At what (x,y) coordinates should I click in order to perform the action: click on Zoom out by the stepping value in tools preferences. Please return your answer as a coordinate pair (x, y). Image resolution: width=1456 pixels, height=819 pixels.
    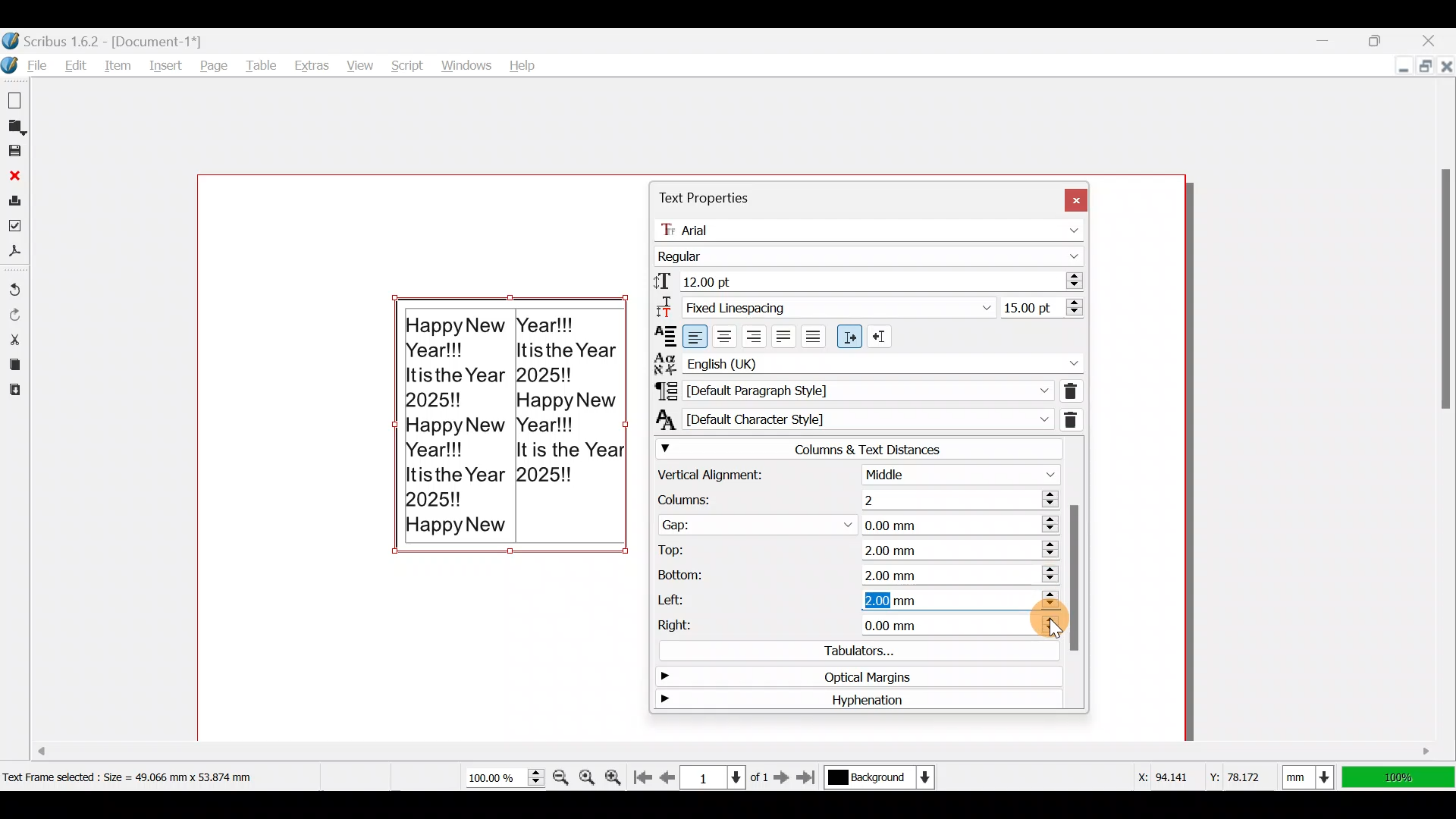
    Looking at the image, I should click on (561, 772).